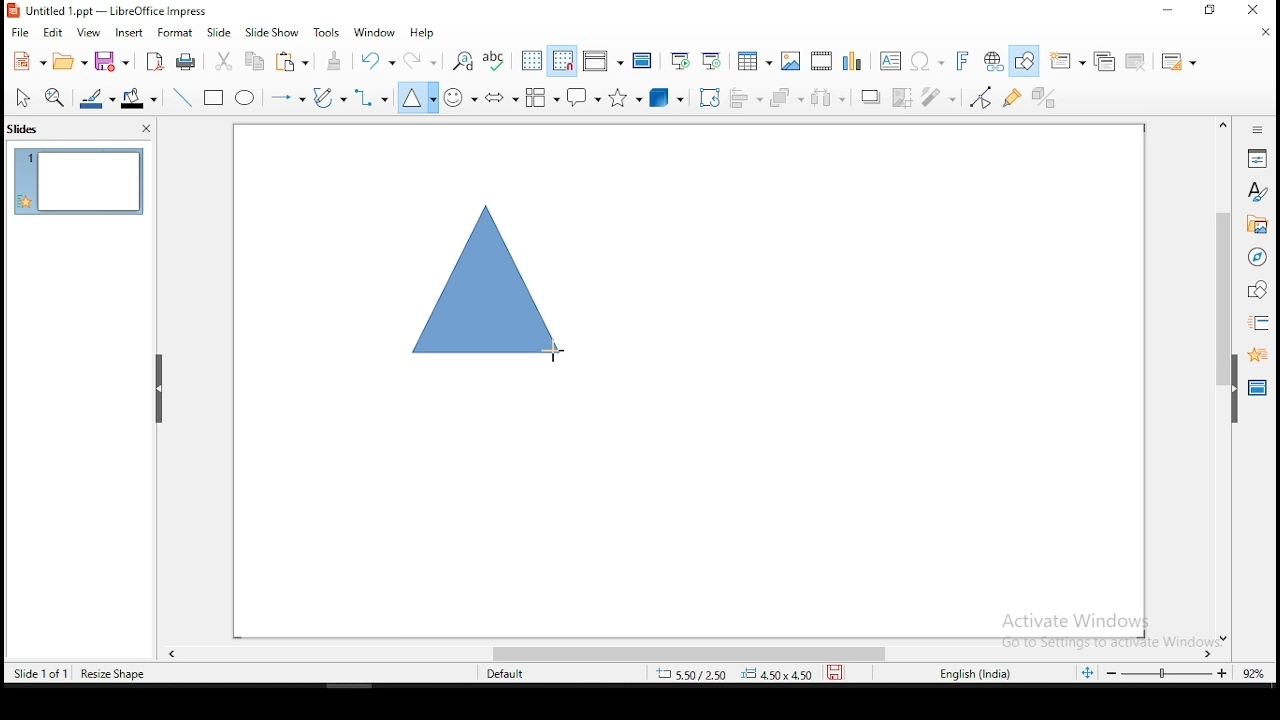 This screenshot has height=720, width=1280. Describe the element at coordinates (853, 59) in the screenshot. I see `charts` at that location.